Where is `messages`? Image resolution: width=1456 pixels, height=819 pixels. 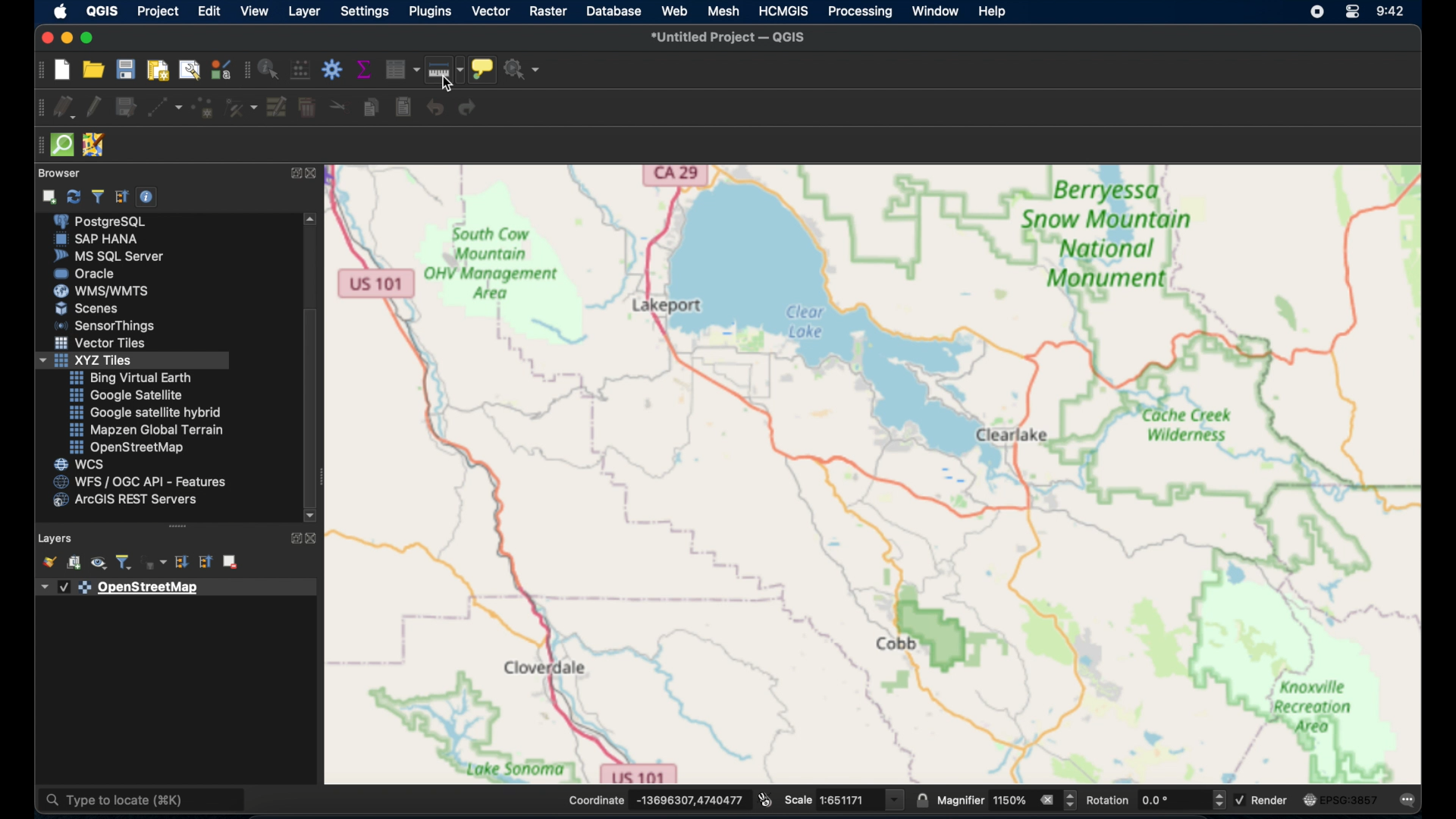 messages is located at coordinates (1409, 801).